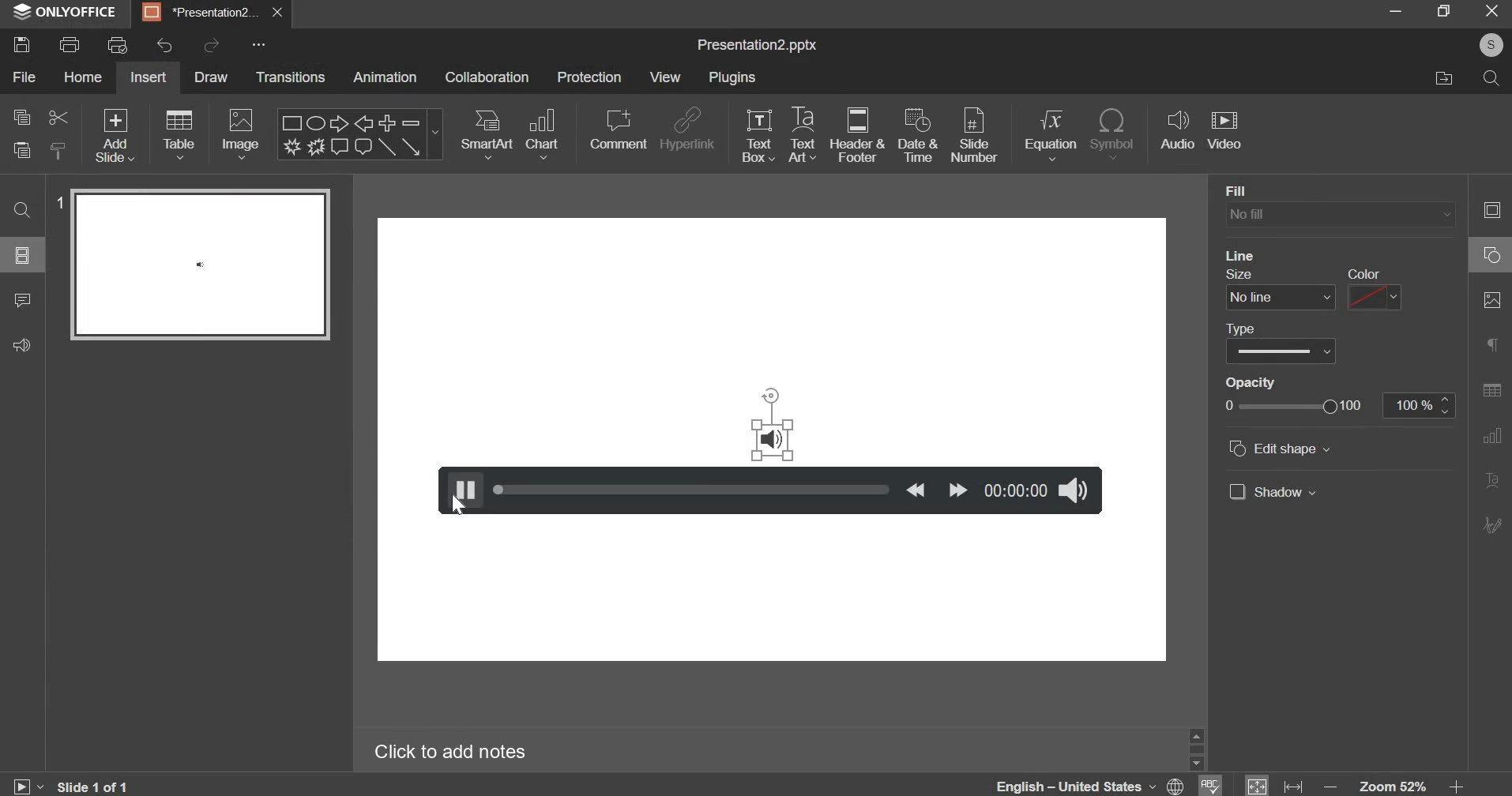 The image size is (1512, 796). Describe the element at coordinates (160, 46) in the screenshot. I see `undo` at that location.